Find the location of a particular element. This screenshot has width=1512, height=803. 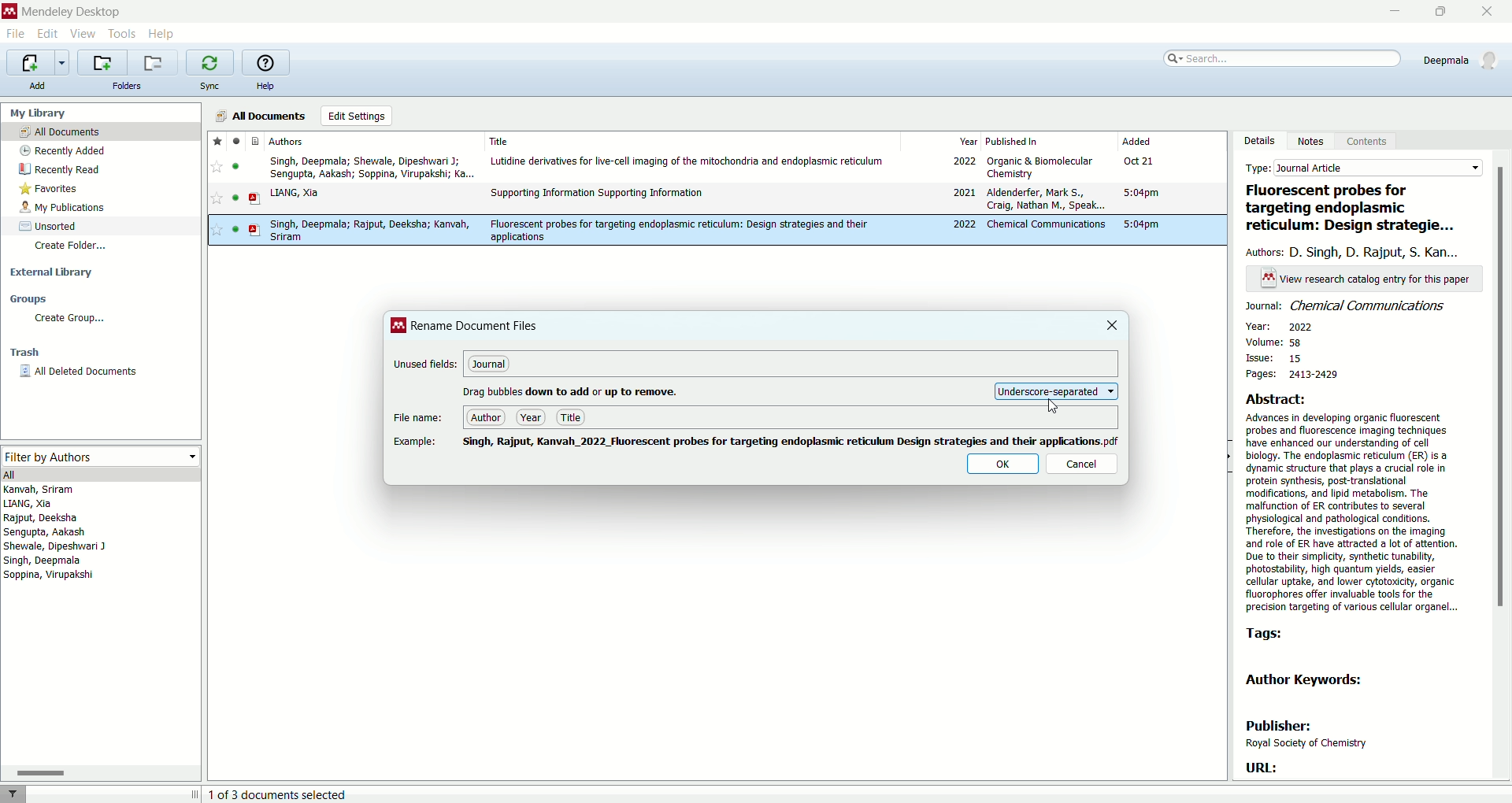

my publications is located at coordinates (65, 209).